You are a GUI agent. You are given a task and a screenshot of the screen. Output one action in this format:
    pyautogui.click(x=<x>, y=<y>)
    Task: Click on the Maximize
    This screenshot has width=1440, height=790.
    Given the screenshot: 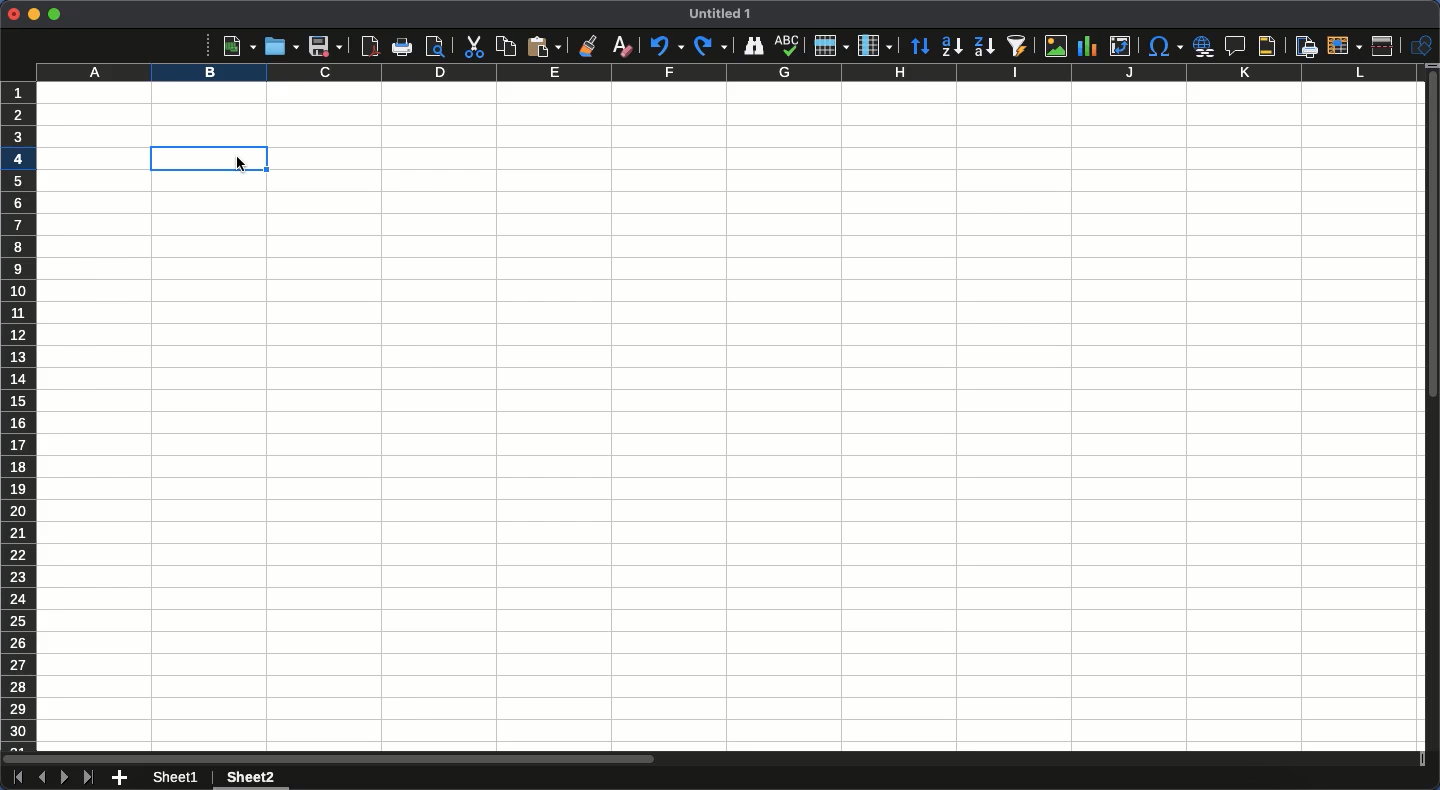 What is the action you would take?
    pyautogui.click(x=54, y=14)
    